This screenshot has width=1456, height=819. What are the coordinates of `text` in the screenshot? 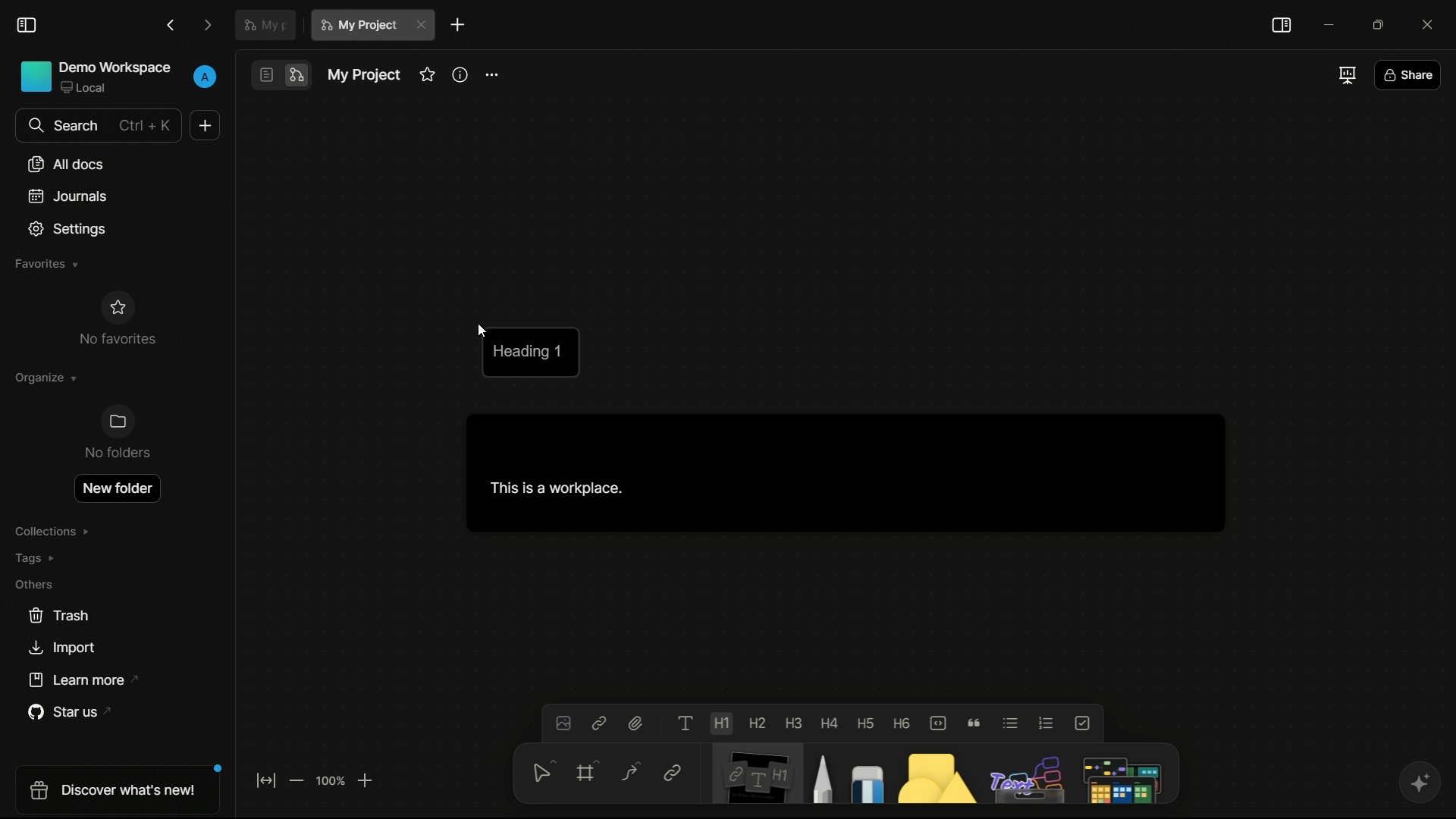 It's located at (686, 723).